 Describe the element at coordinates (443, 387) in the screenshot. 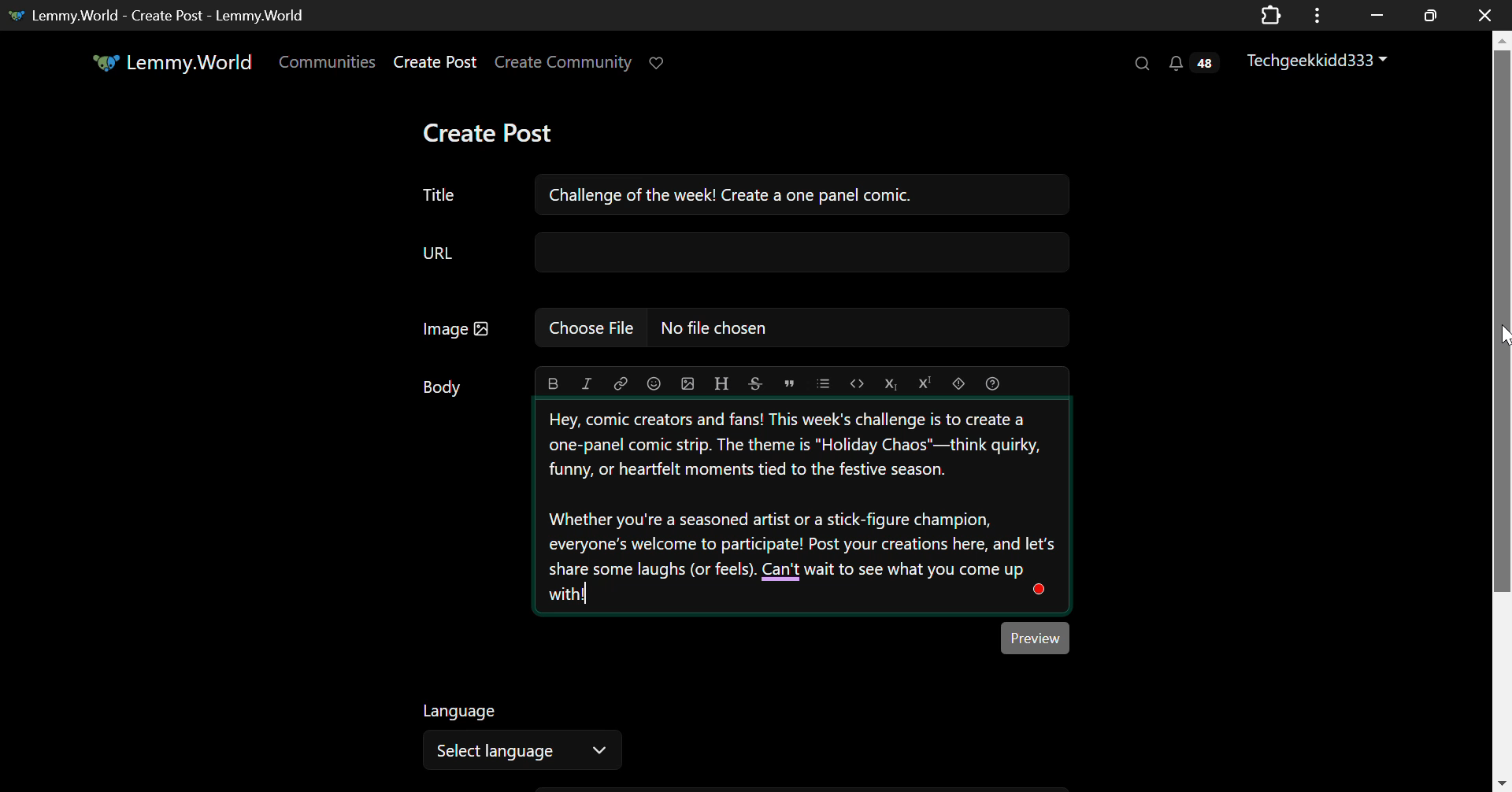

I see `Body` at that location.